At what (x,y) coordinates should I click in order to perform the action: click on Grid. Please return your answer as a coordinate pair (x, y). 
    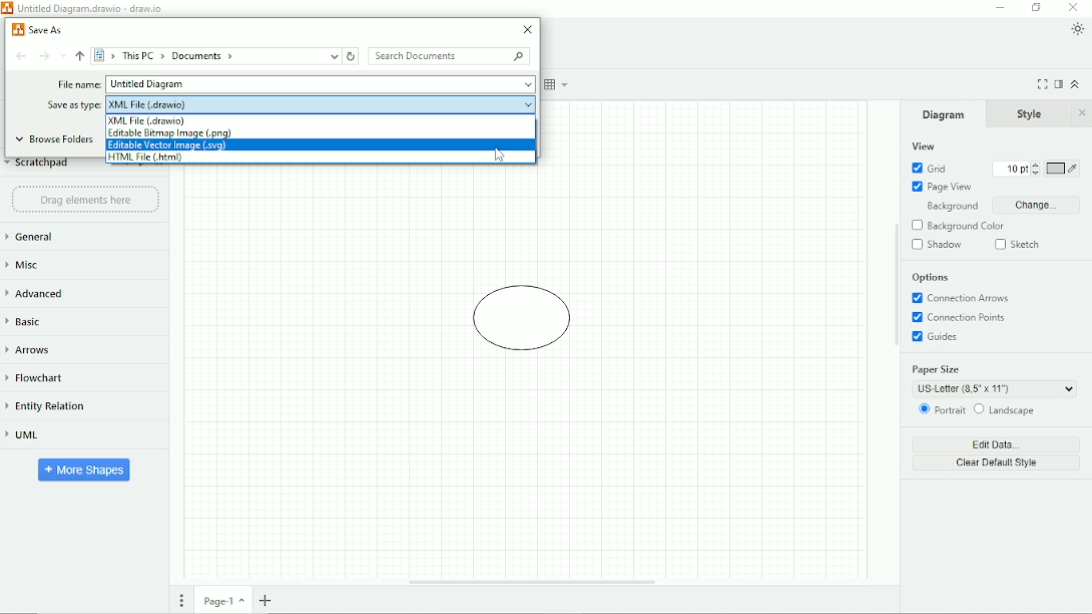
    Looking at the image, I should click on (930, 168).